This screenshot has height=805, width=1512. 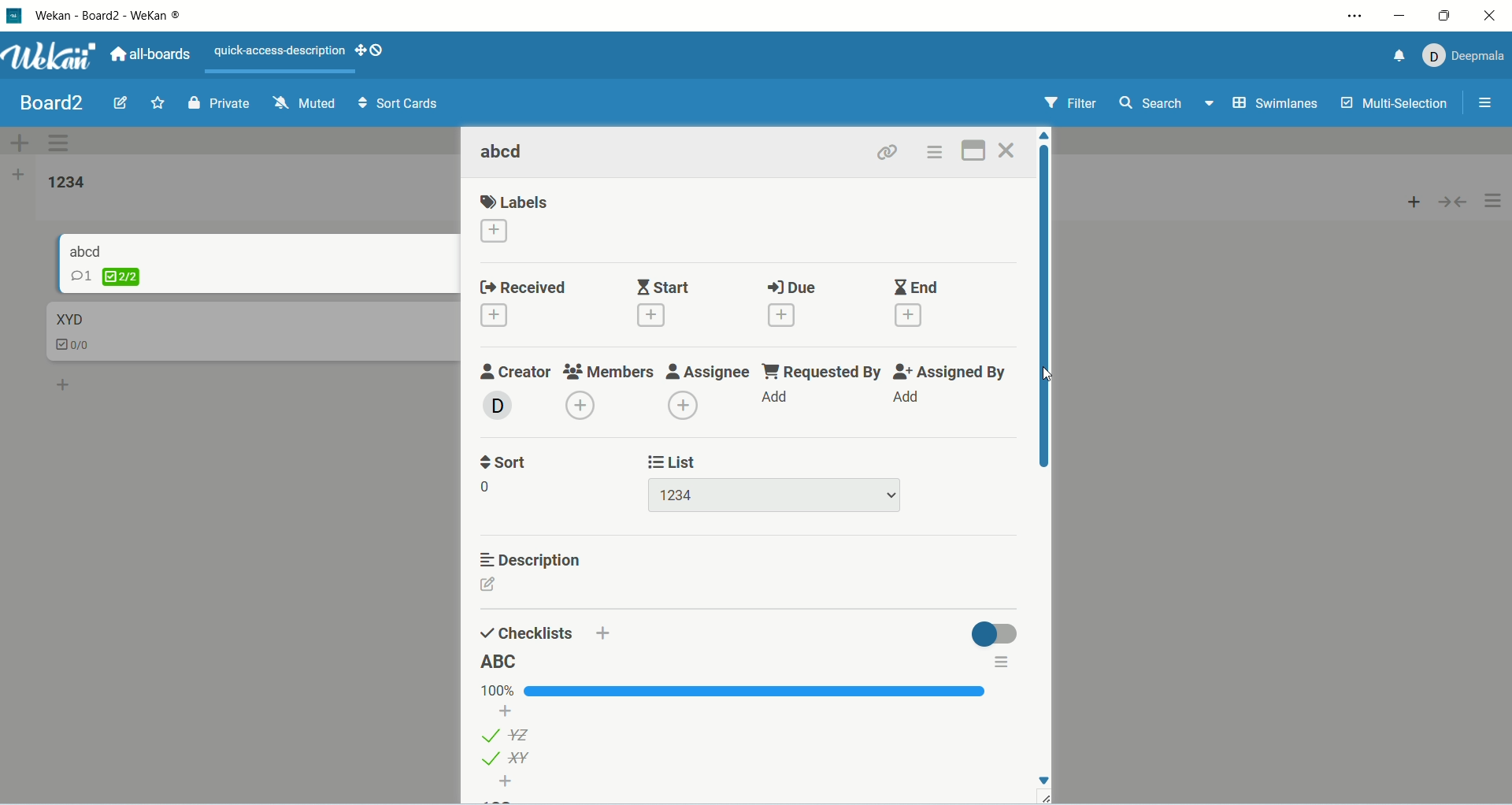 What do you see at coordinates (664, 286) in the screenshot?
I see `start` at bounding box center [664, 286].